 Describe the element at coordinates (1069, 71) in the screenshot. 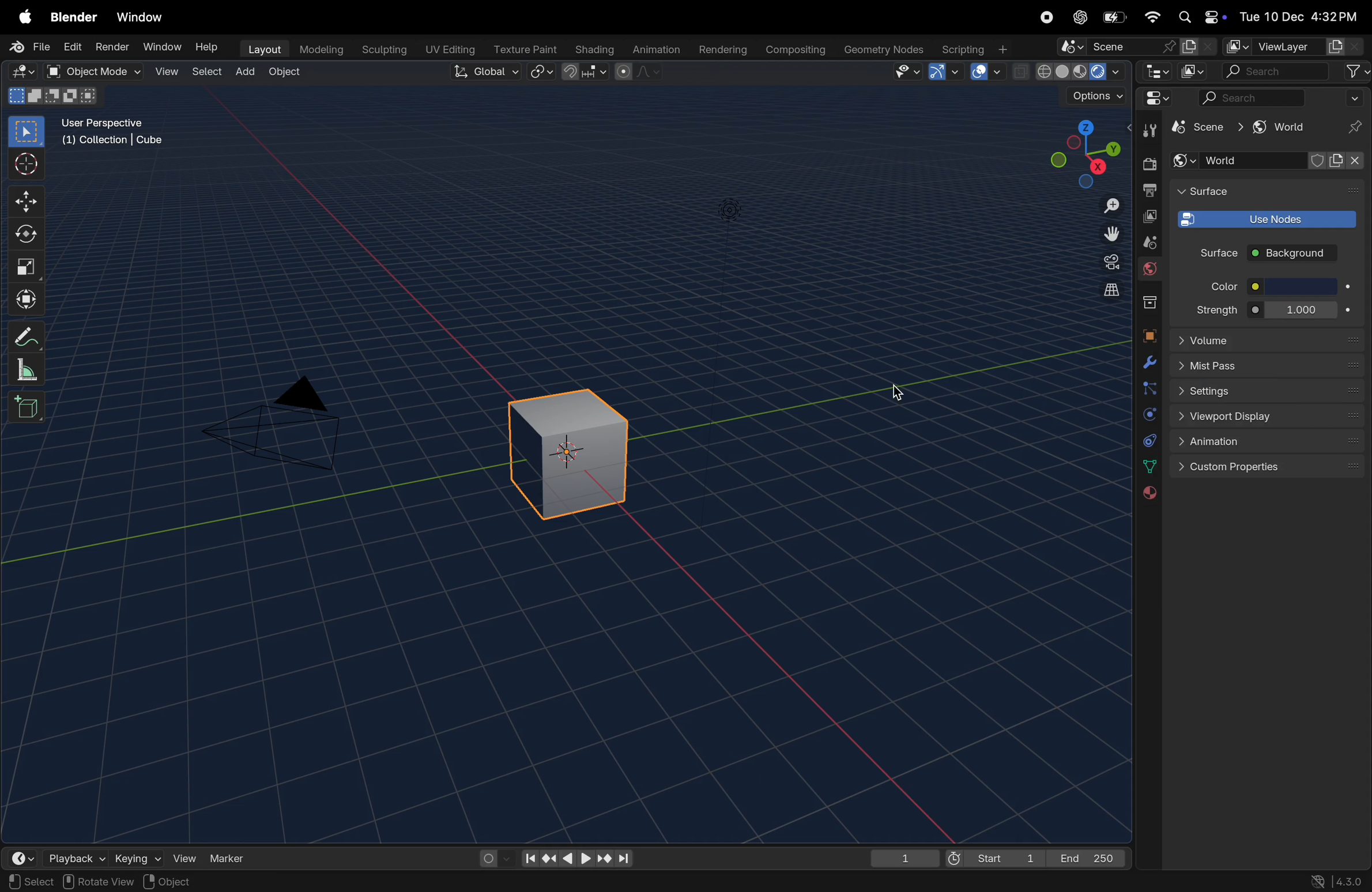

I see `view port shading` at that location.